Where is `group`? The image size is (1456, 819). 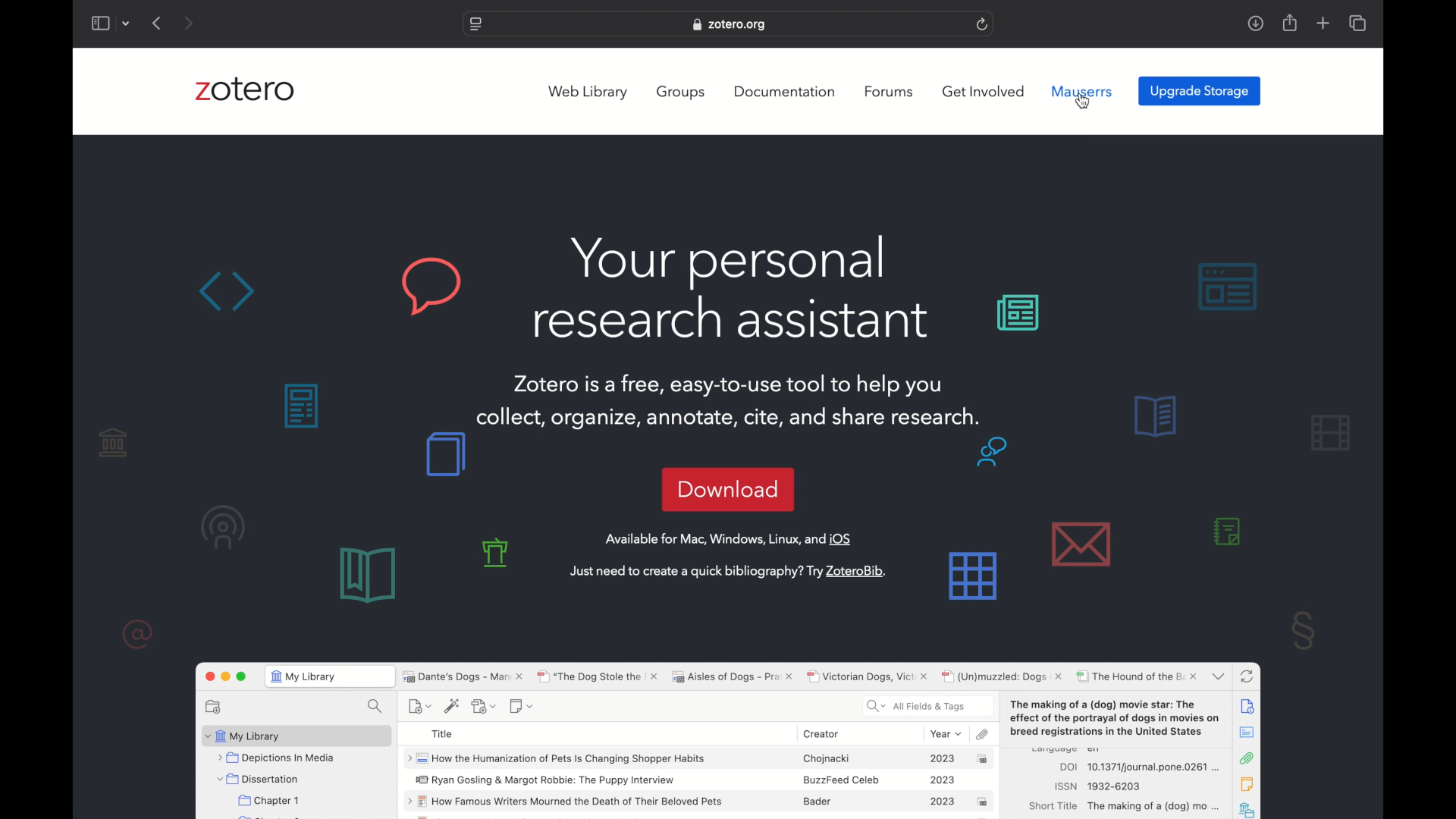
group is located at coordinates (682, 92).